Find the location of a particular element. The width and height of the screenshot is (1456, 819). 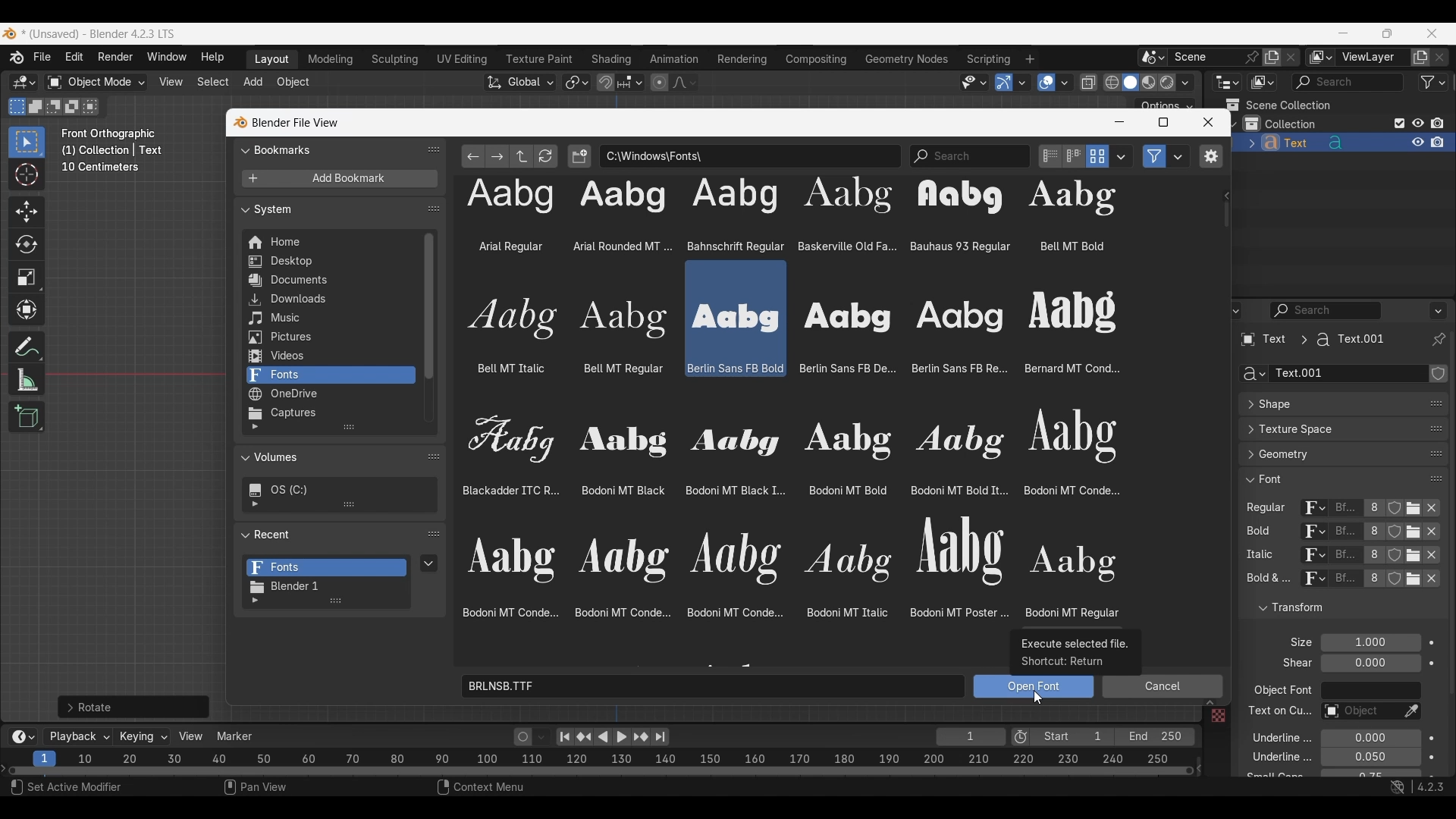

Name is located at coordinates (1348, 375).